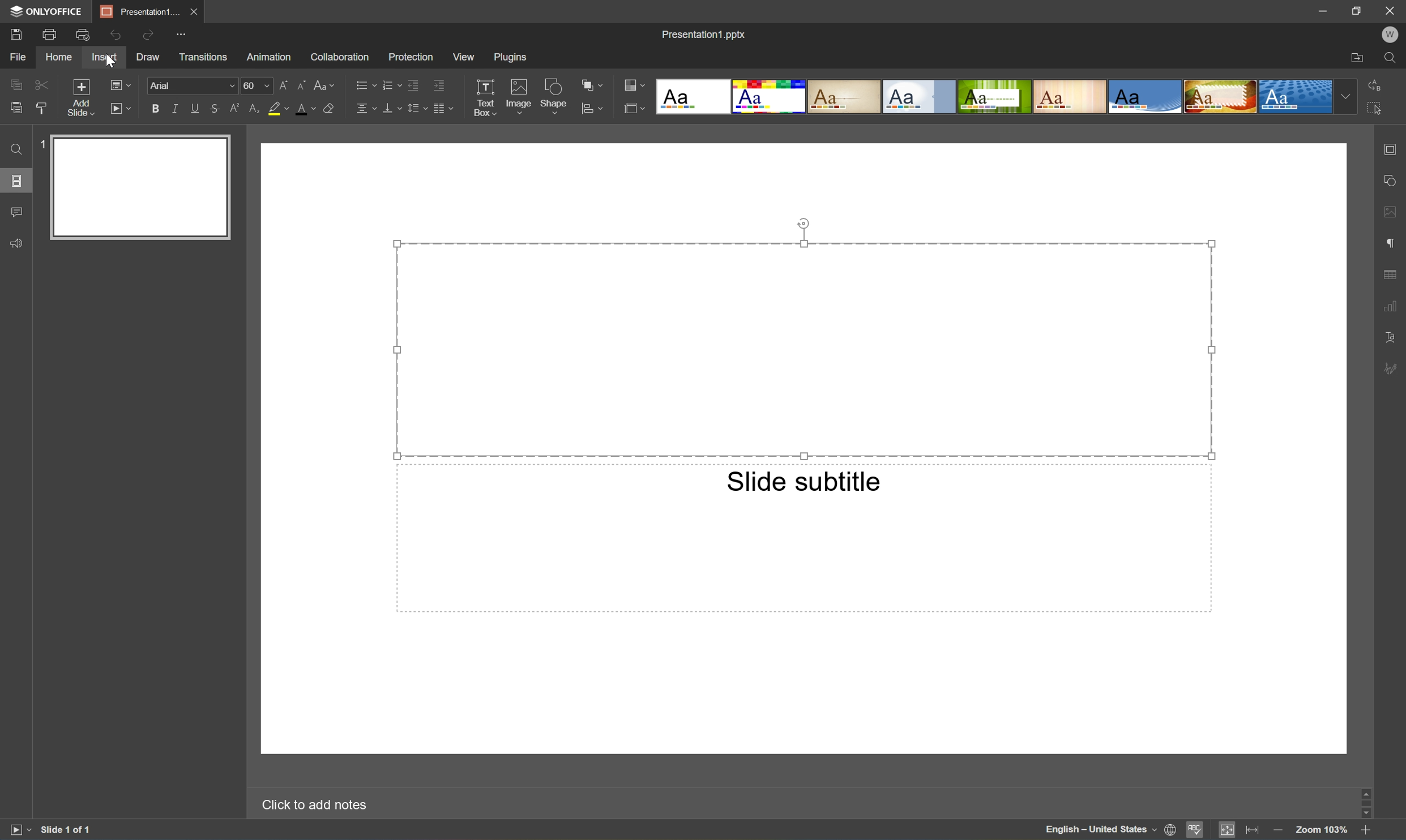 This screenshot has height=840, width=1406. I want to click on Highlight color, so click(281, 107).